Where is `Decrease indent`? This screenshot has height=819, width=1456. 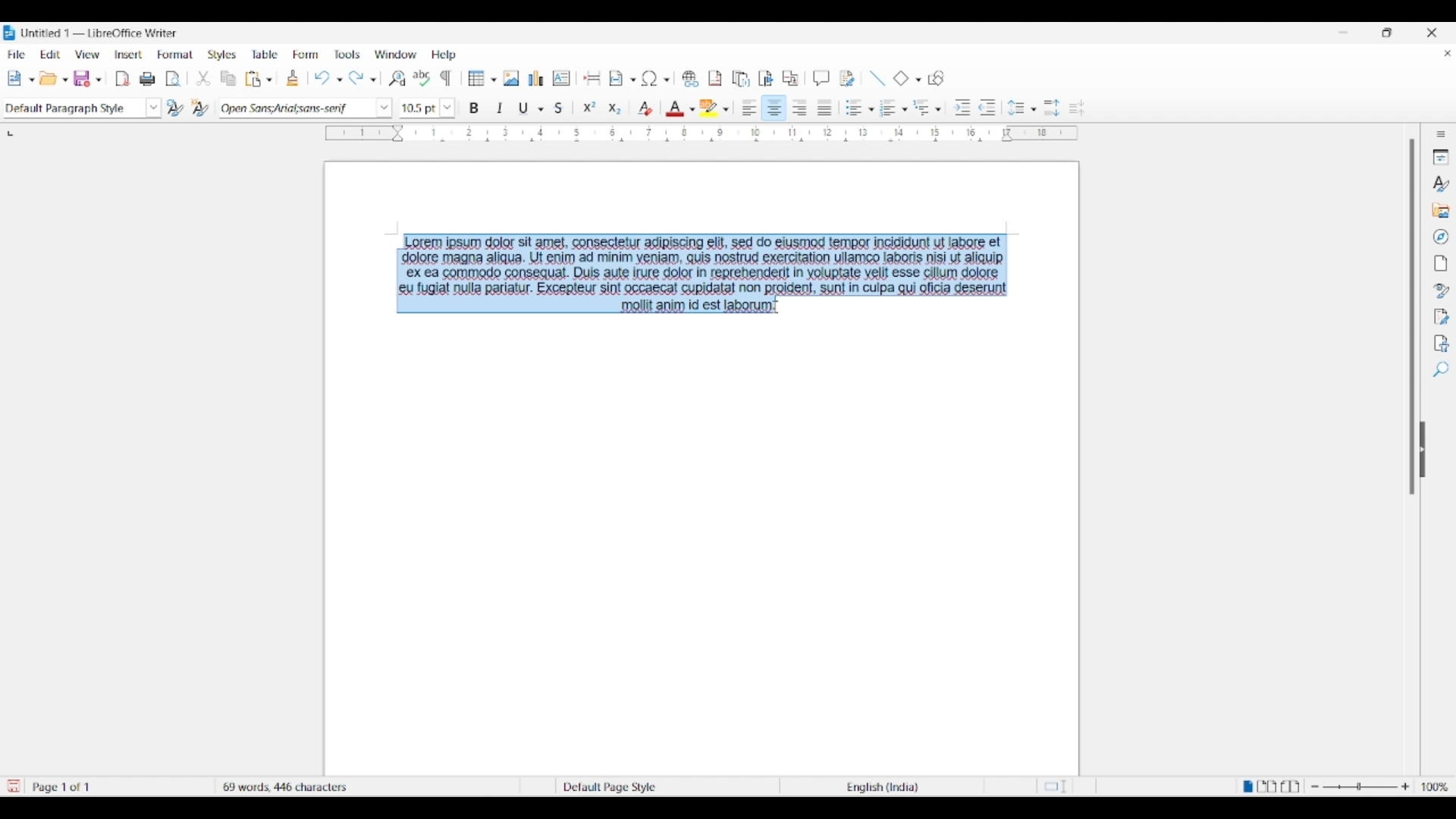 Decrease indent is located at coordinates (988, 108).